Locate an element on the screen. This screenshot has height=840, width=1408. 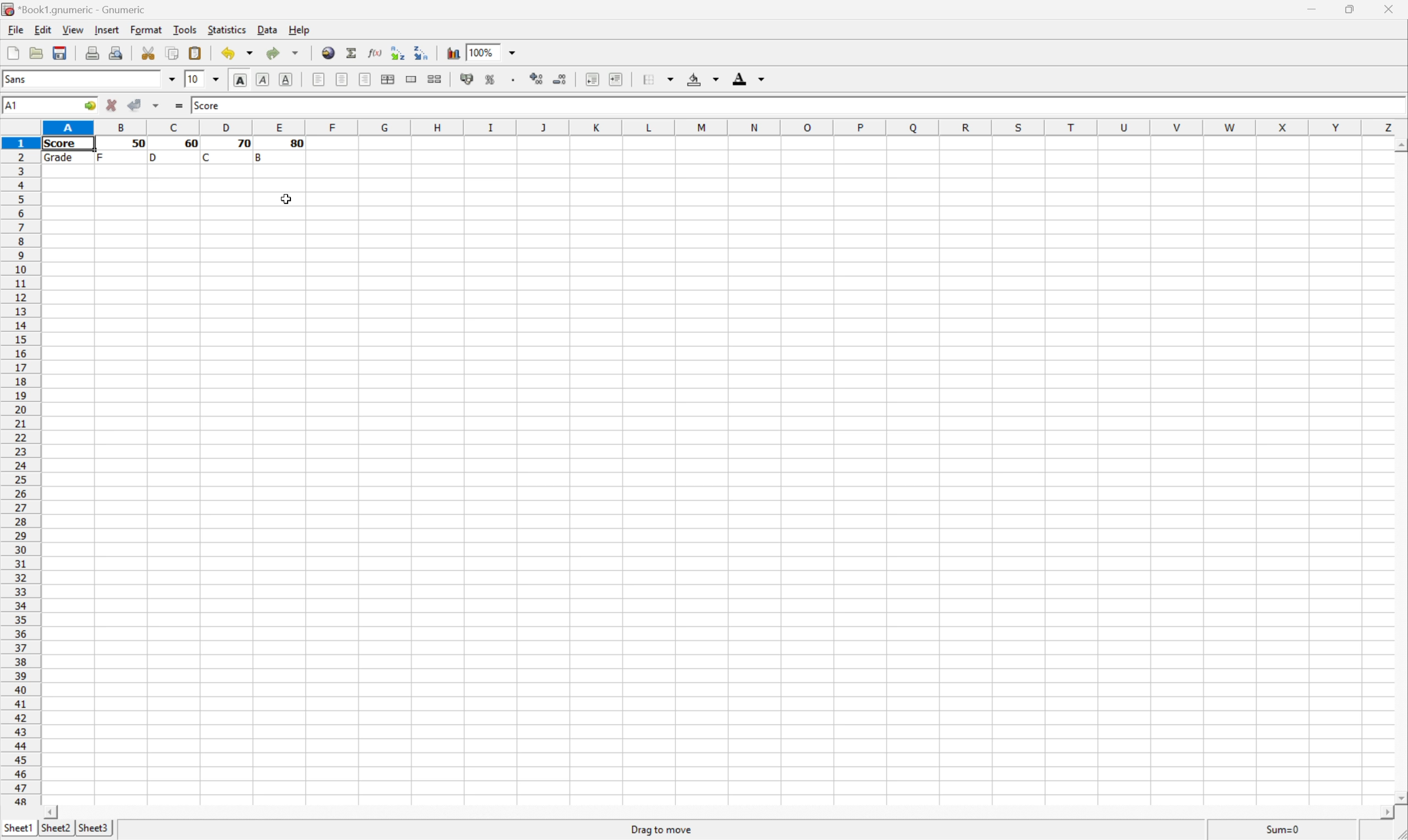
Open a file is located at coordinates (38, 52).